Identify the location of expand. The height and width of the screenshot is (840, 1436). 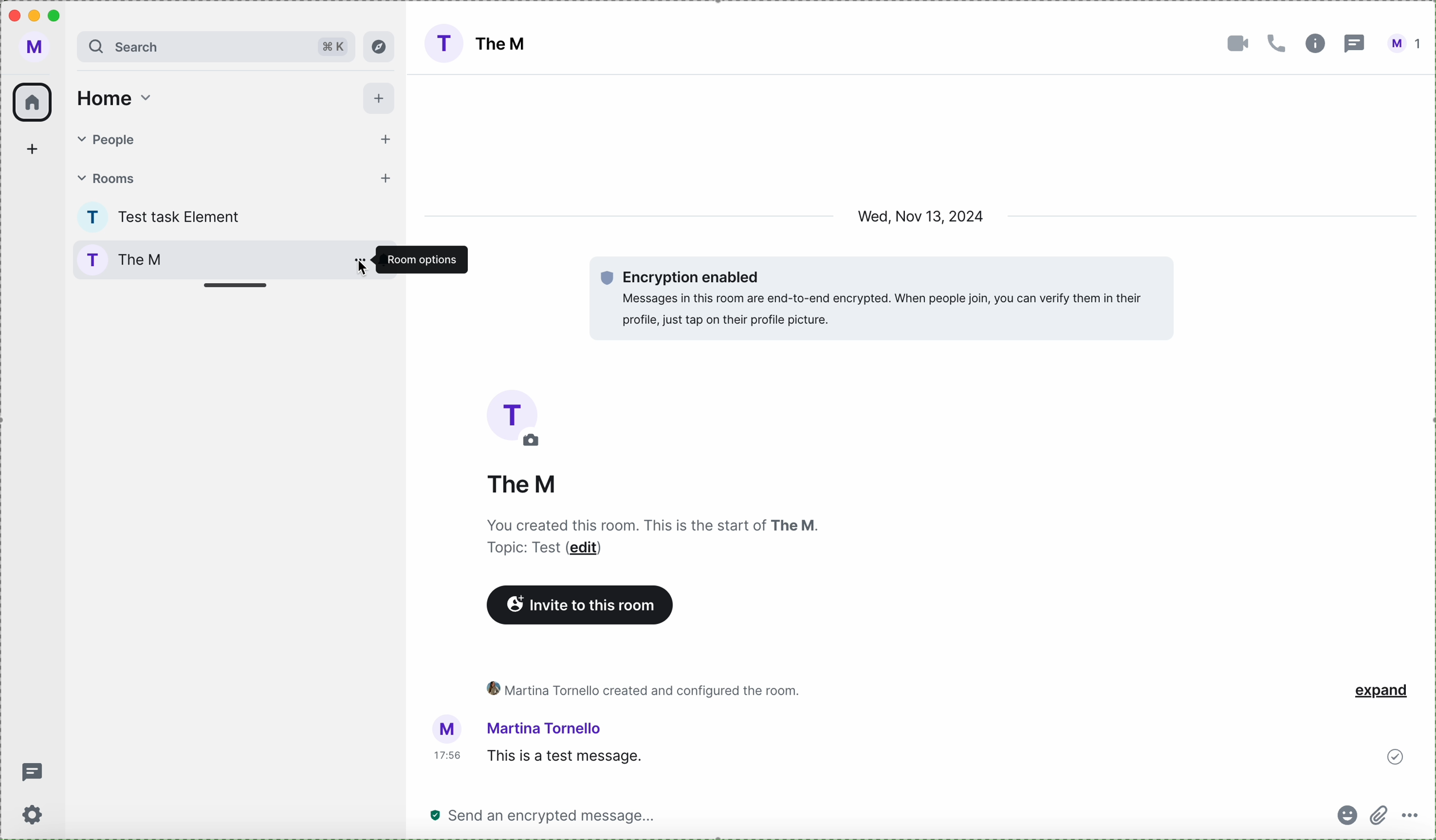
(1383, 691).